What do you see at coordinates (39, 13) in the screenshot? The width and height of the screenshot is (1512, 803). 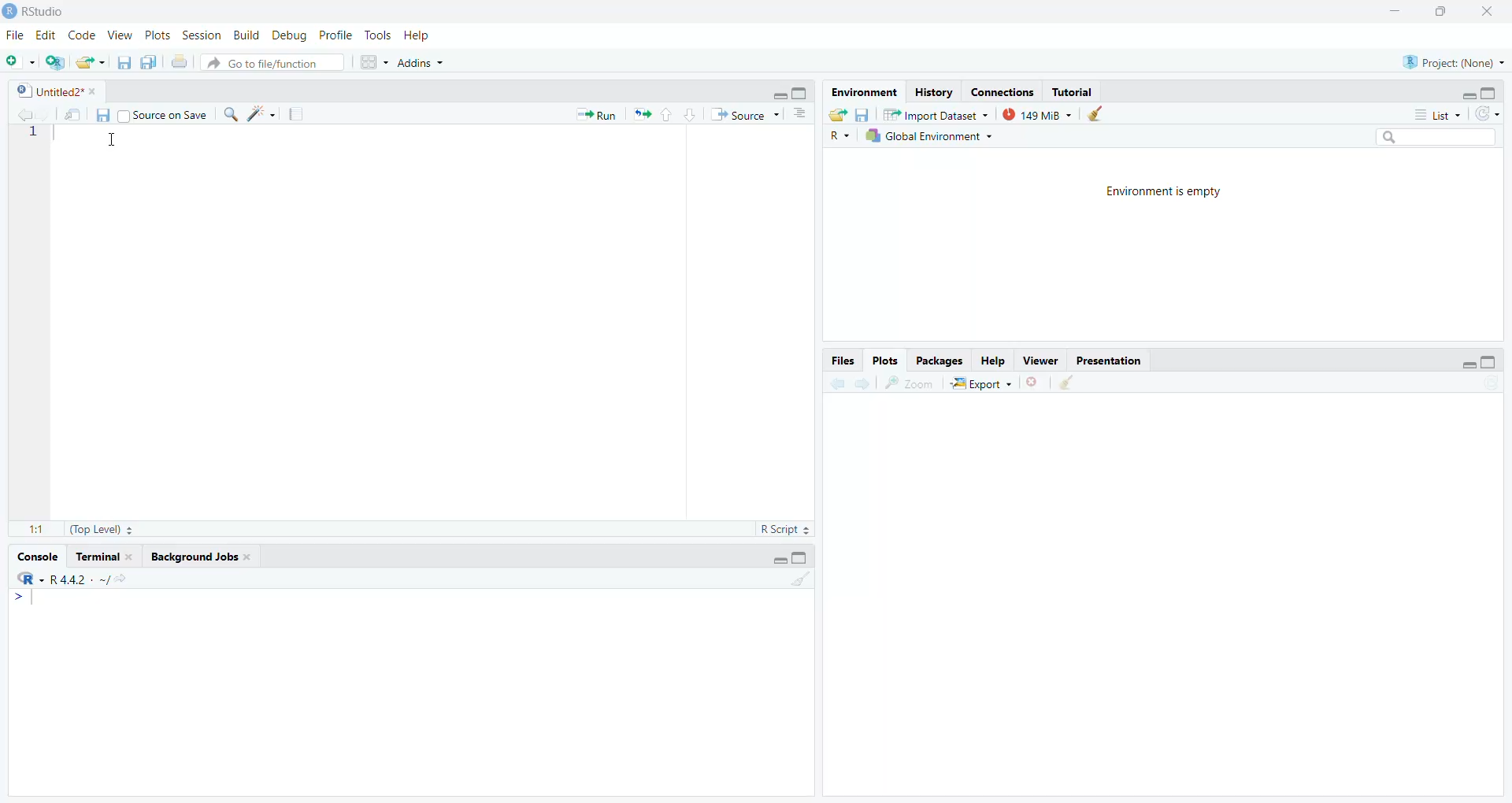 I see `RStudio` at bounding box center [39, 13].